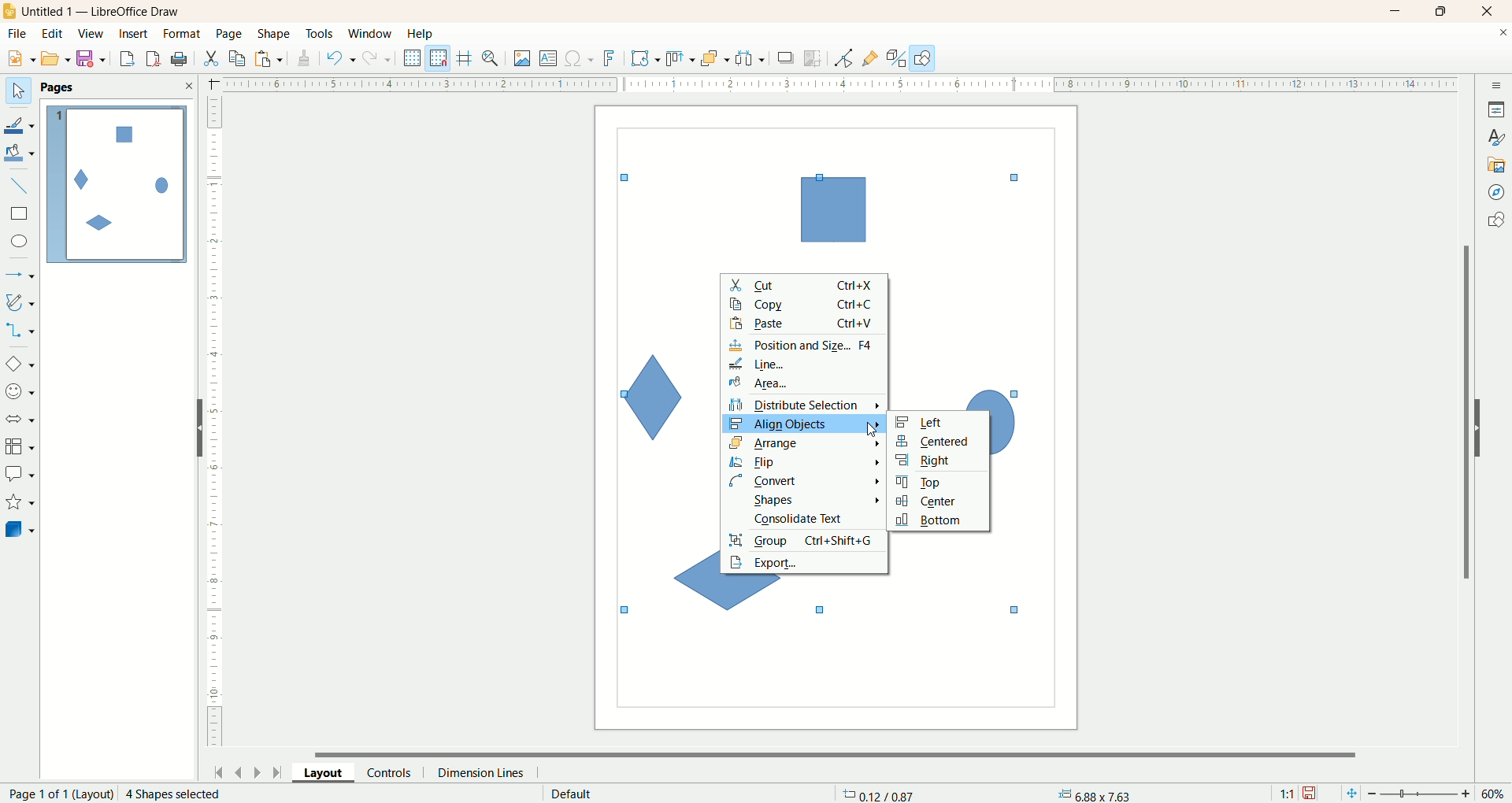  Describe the element at coordinates (650, 391) in the screenshot. I see `unselected shape` at that location.